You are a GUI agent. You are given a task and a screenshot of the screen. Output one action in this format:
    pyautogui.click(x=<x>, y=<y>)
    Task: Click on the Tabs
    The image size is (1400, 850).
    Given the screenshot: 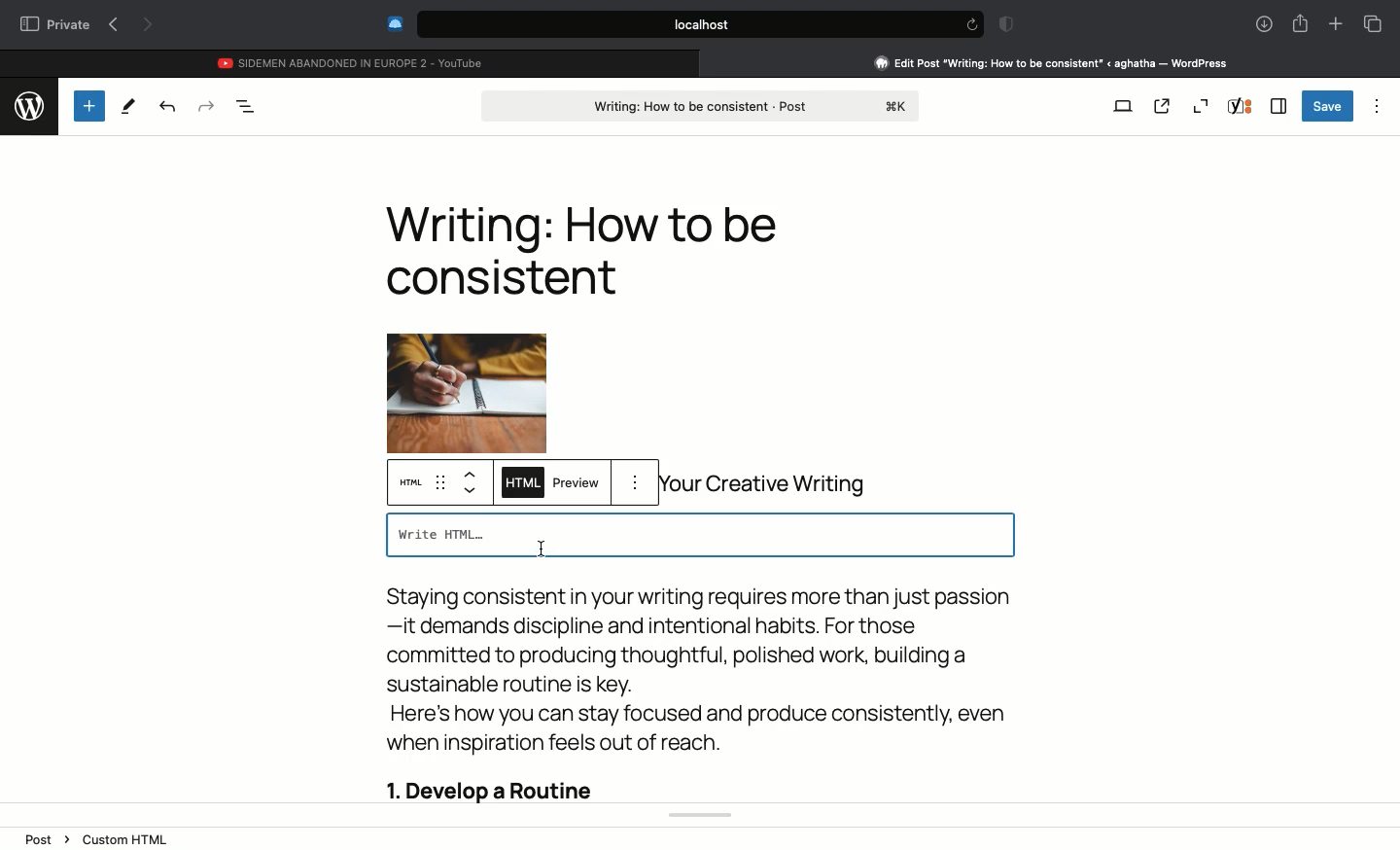 What is the action you would take?
    pyautogui.click(x=1373, y=23)
    